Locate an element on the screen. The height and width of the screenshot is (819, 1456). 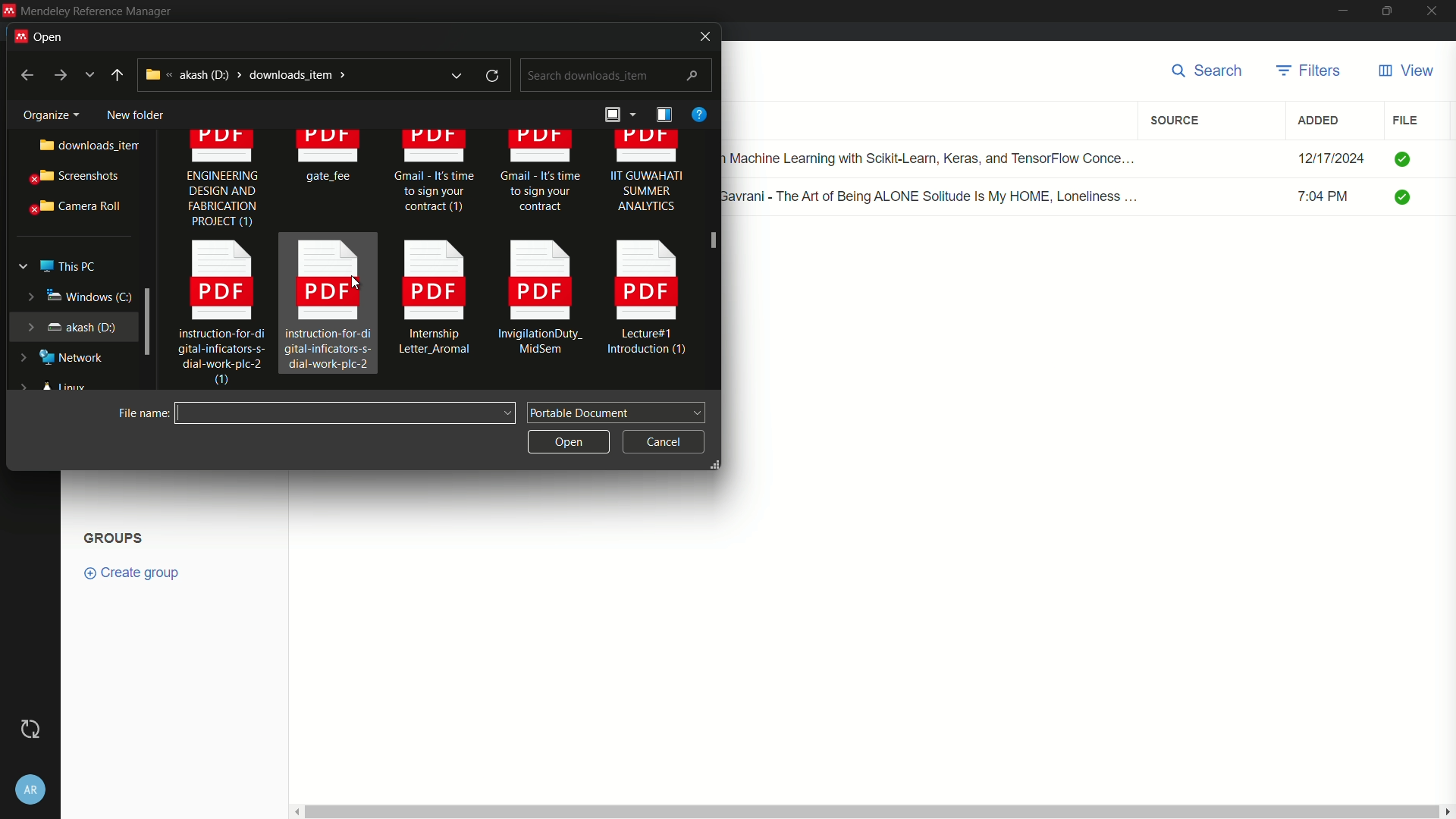
Hands-on Machine Learning with Scikit-Learn, Keras, and TensorFlow Conce... is located at coordinates (937, 155).